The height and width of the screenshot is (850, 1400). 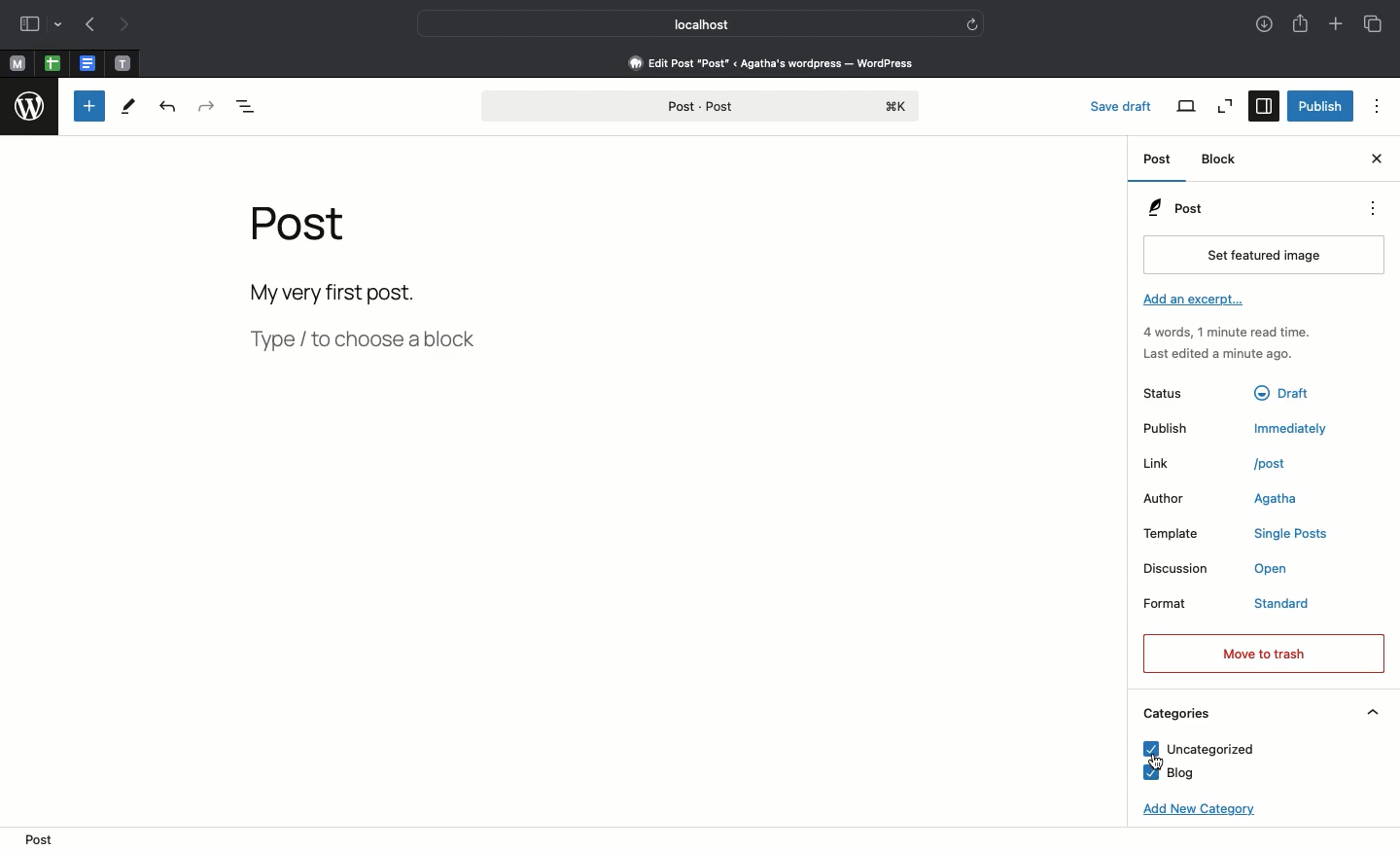 I want to click on Immediately, so click(x=1295, y=428).